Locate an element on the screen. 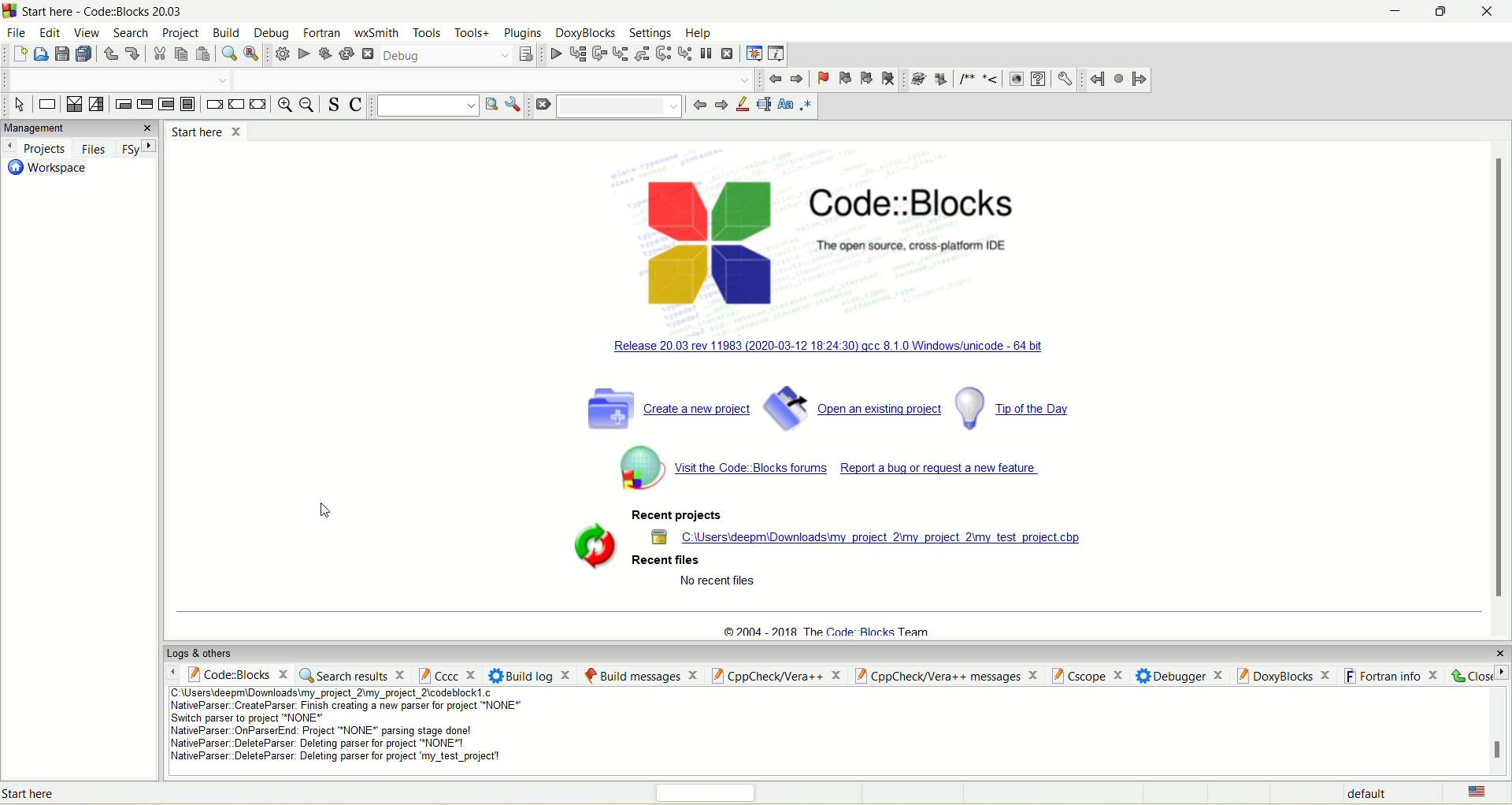  FSy is located at coordinates (140, 148).